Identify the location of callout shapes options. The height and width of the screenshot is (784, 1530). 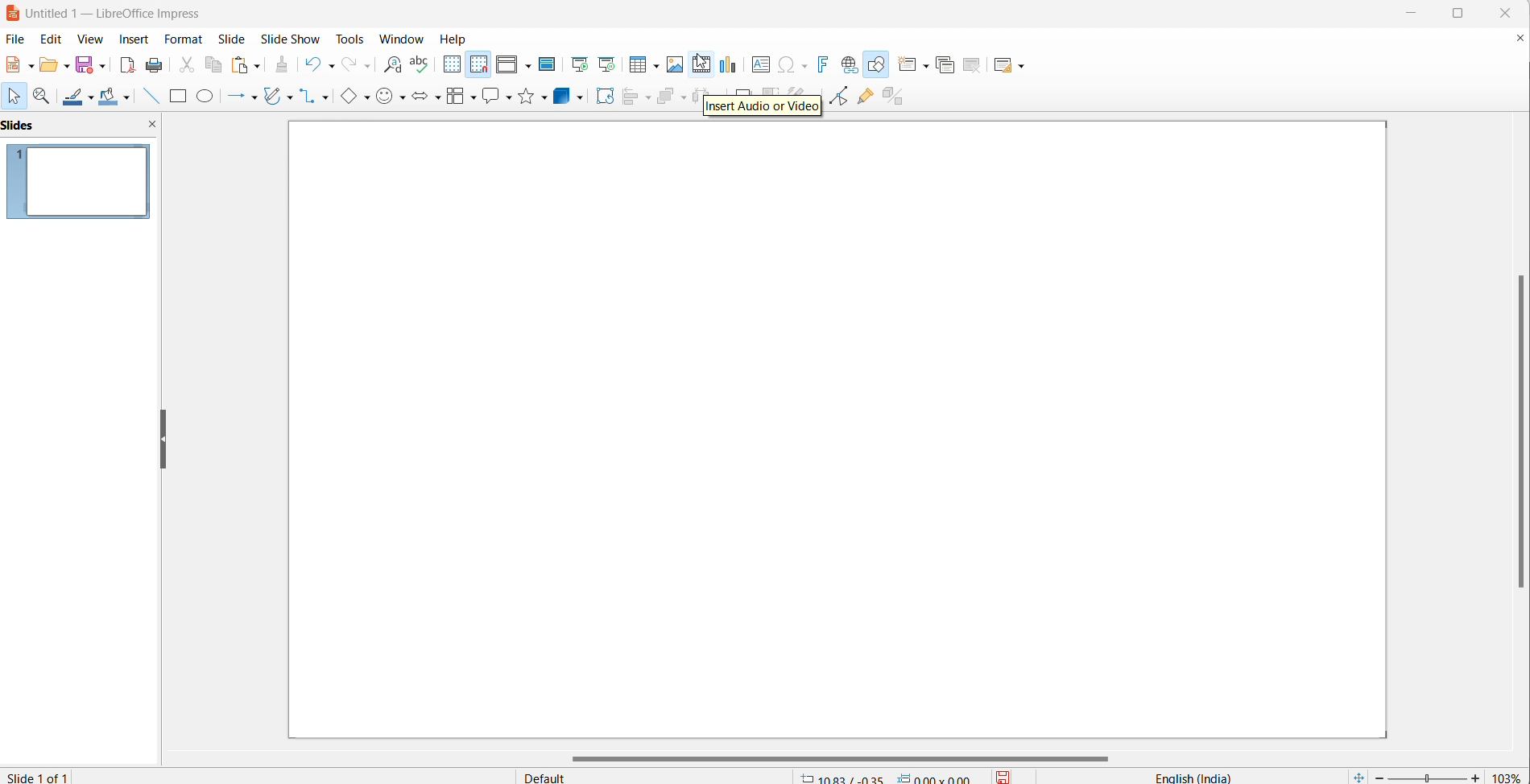
(508, 99).